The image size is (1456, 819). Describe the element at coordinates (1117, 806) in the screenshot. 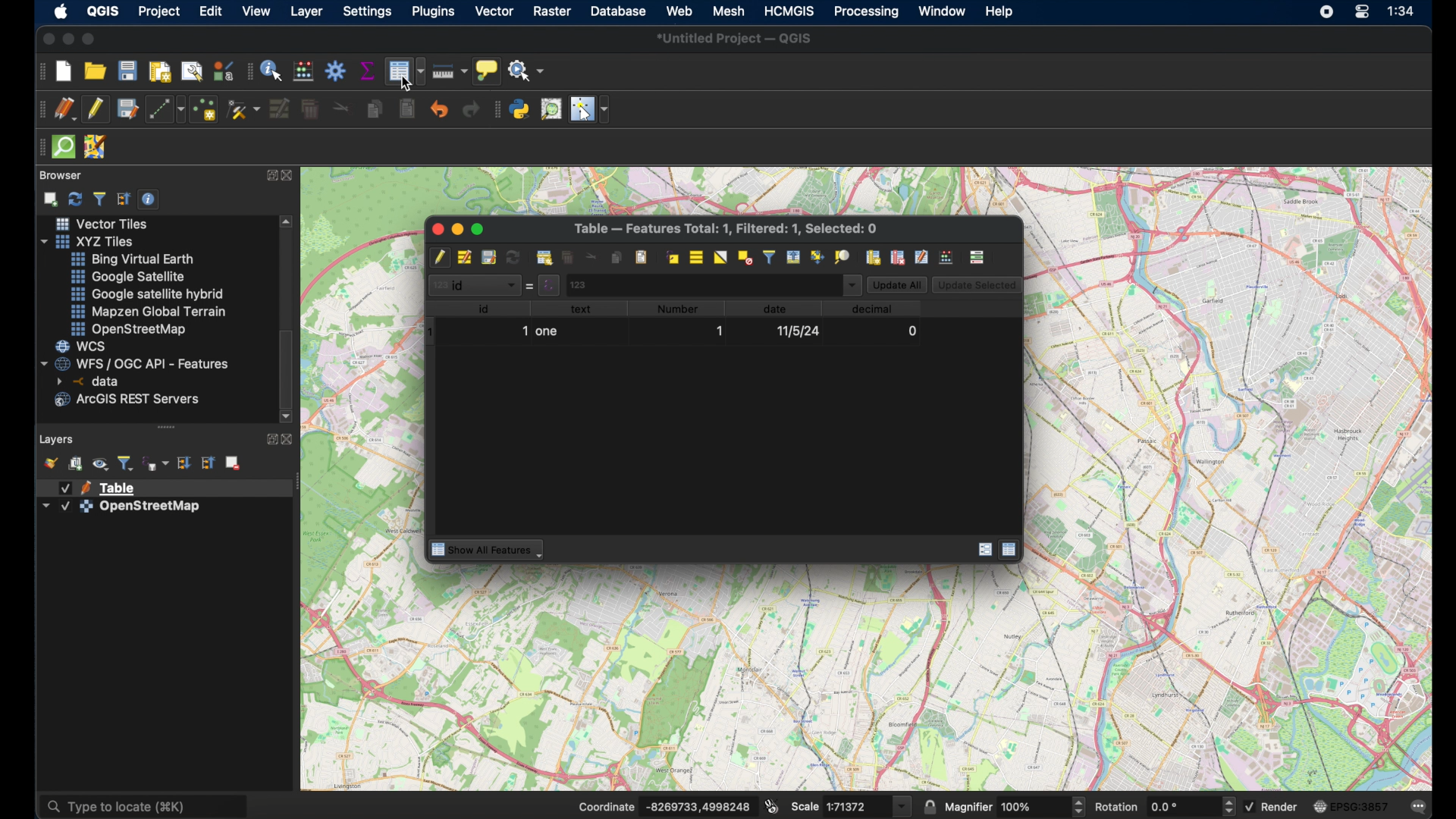

I see `rotation` at that location.